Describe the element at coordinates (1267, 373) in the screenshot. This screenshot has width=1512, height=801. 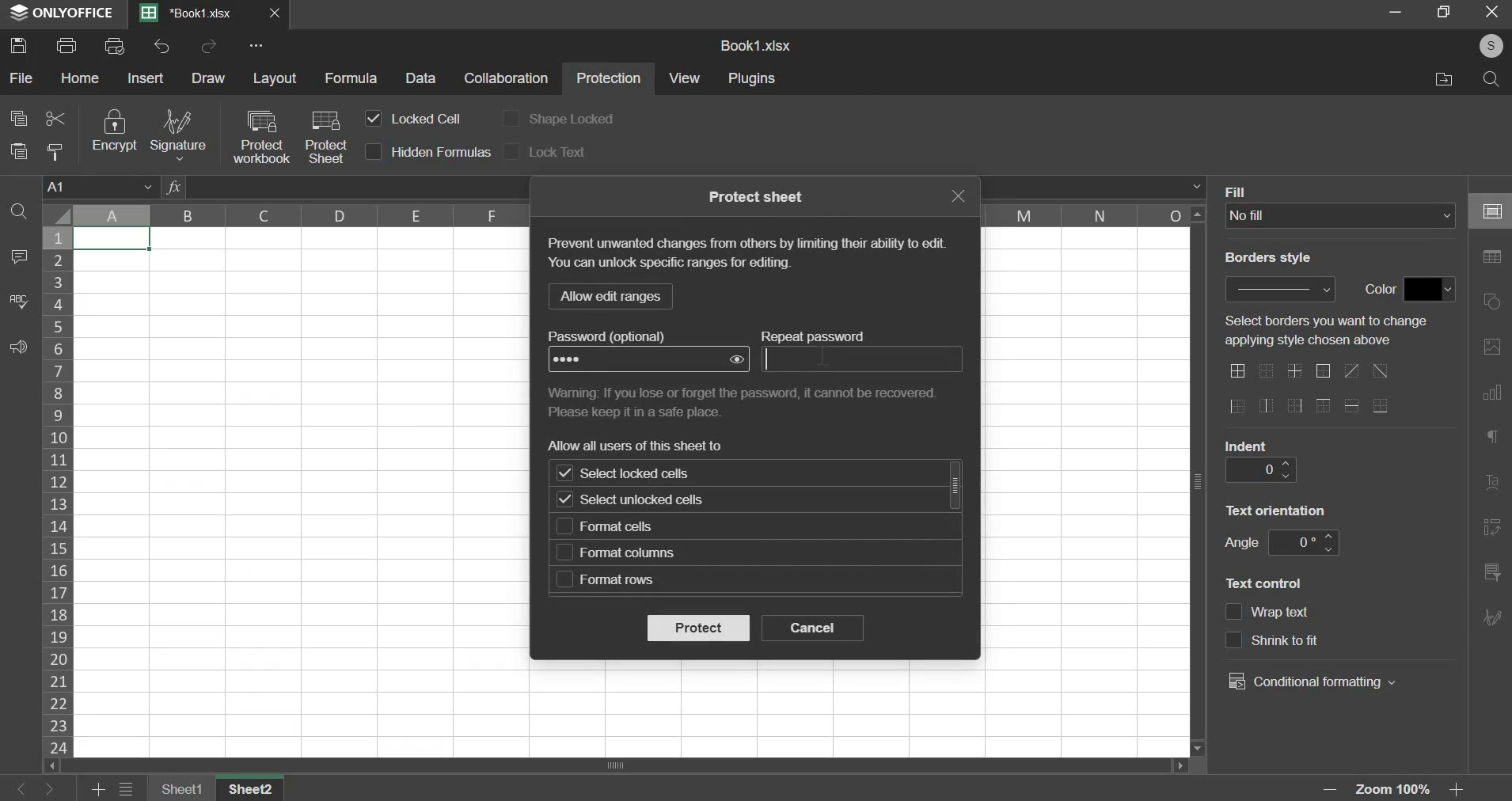
I see `border options` at that location.